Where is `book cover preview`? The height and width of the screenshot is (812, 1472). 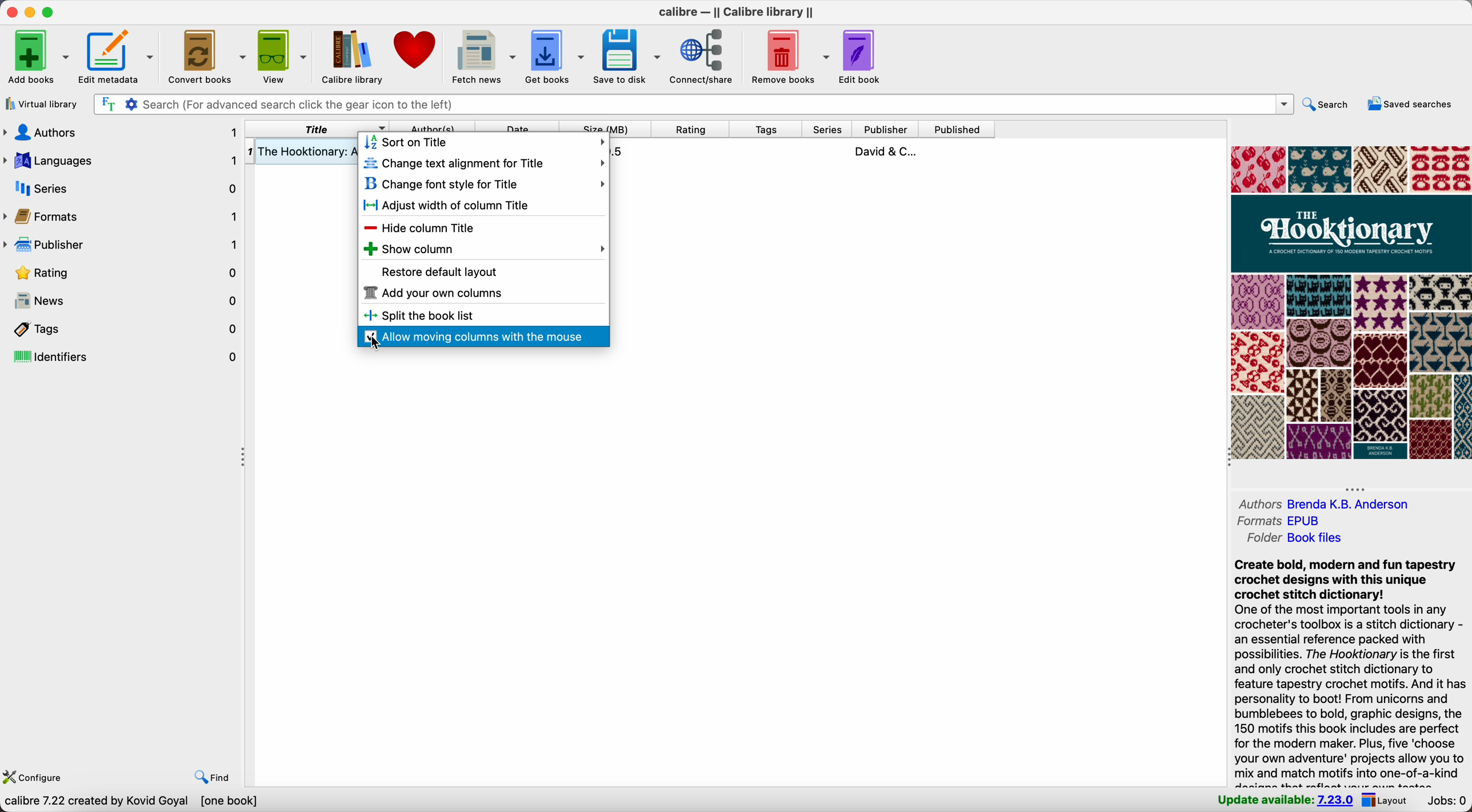 book cover preview is located at coordinates (1351, 302).